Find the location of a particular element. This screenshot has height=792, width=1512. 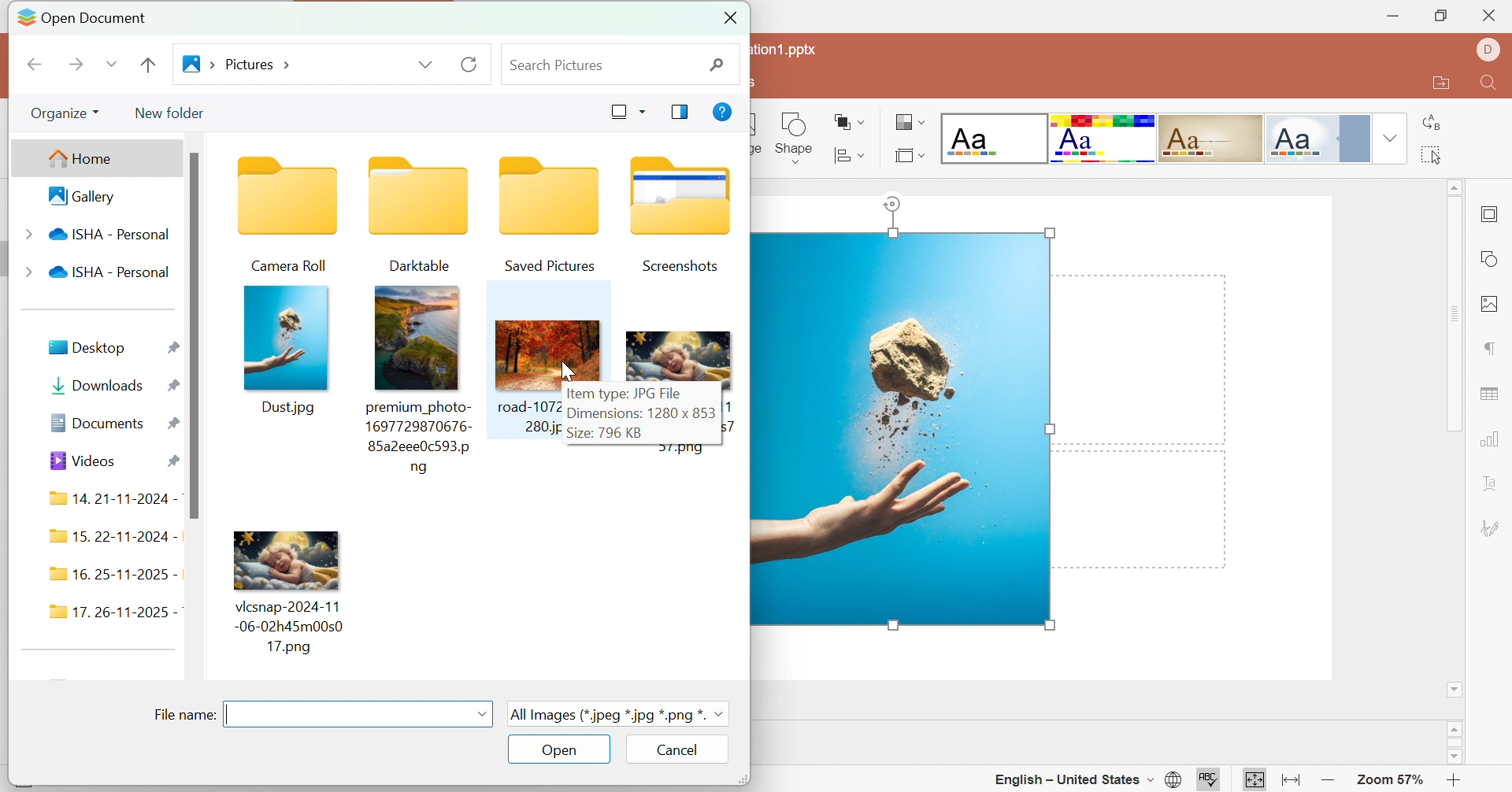

Previous is located at coordinates (38, 64).